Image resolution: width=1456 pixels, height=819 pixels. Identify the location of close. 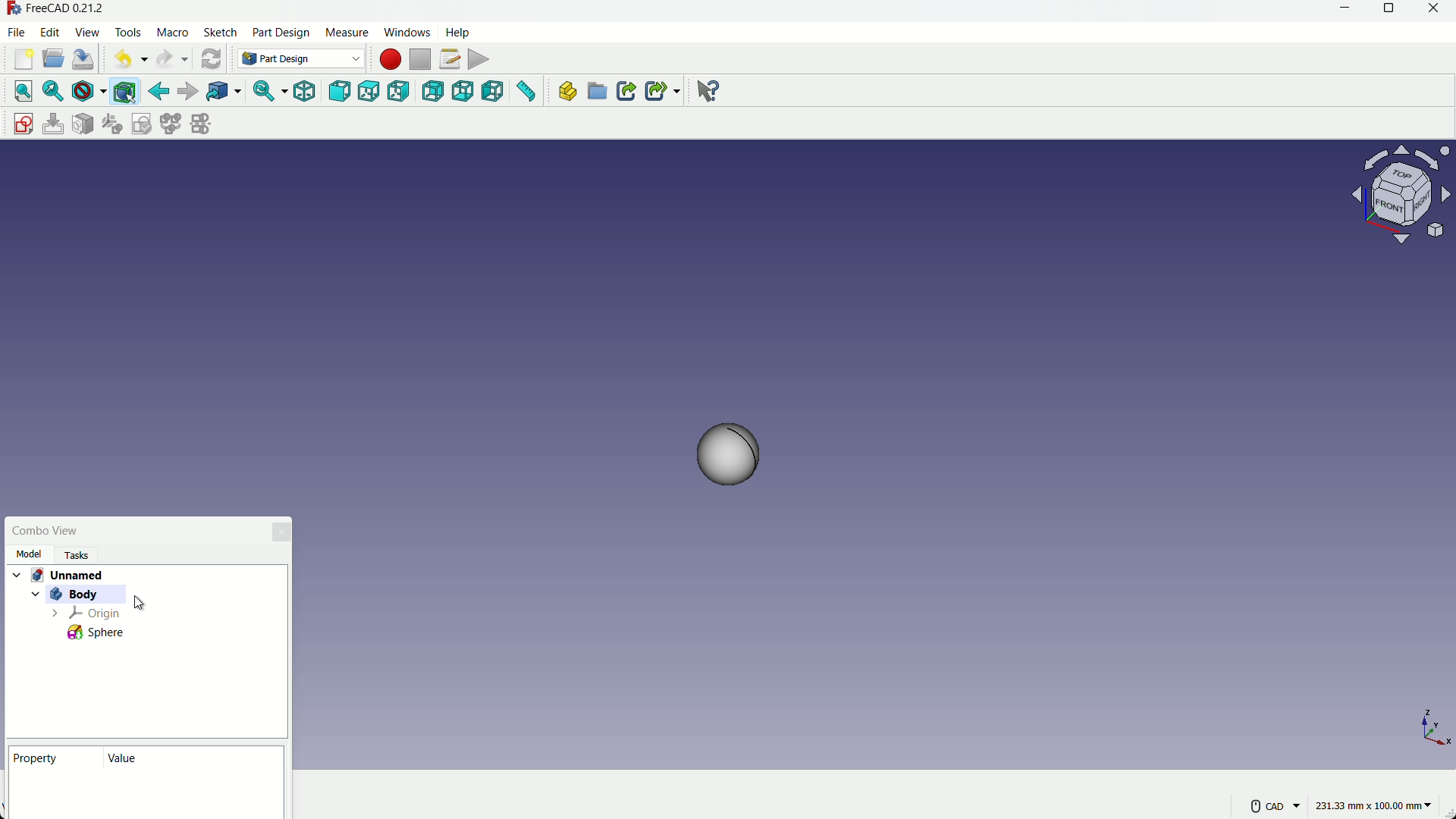
(1432, 9).